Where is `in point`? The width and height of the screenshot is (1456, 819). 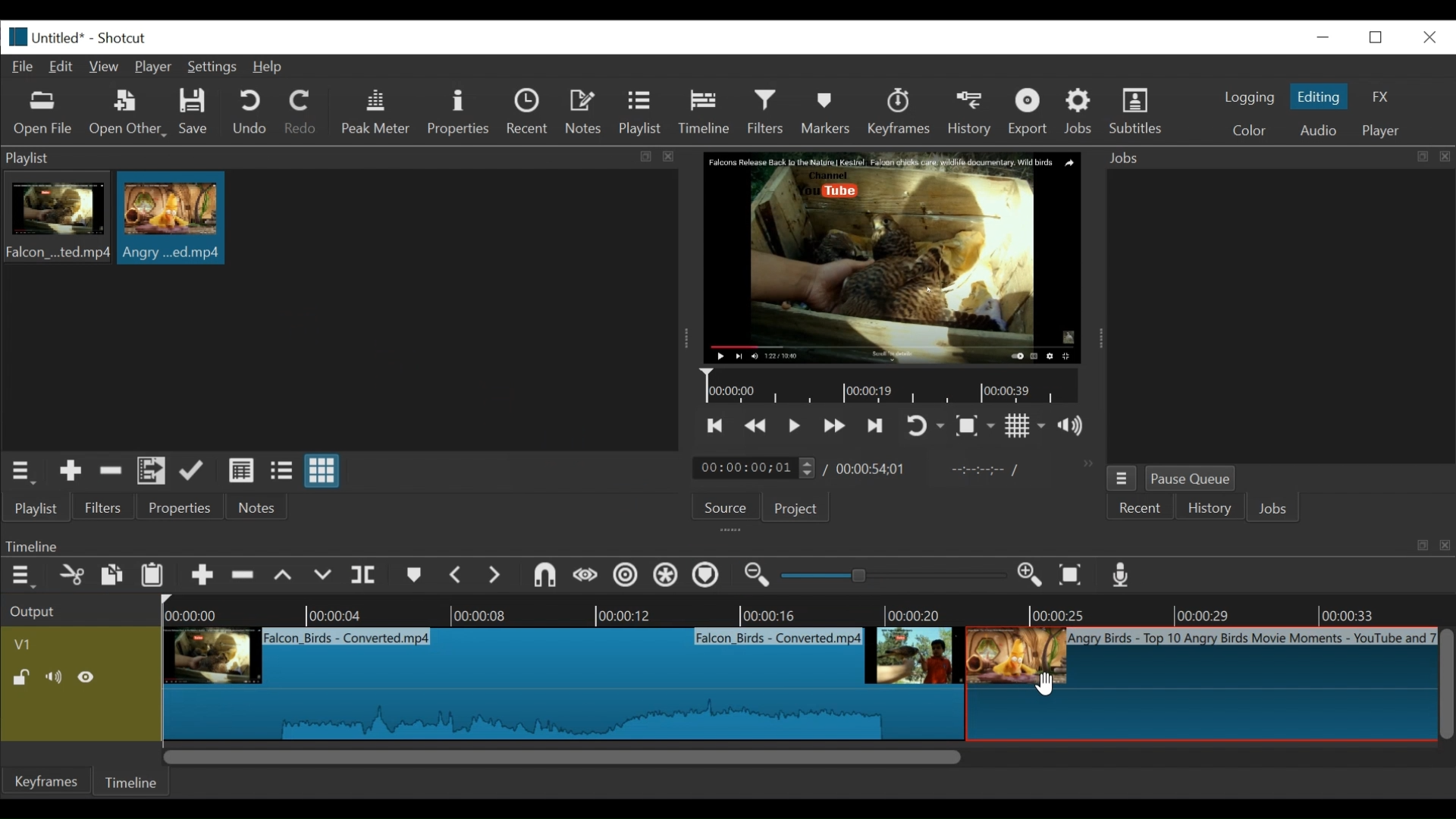 in point is located at coordinates (981, 472).